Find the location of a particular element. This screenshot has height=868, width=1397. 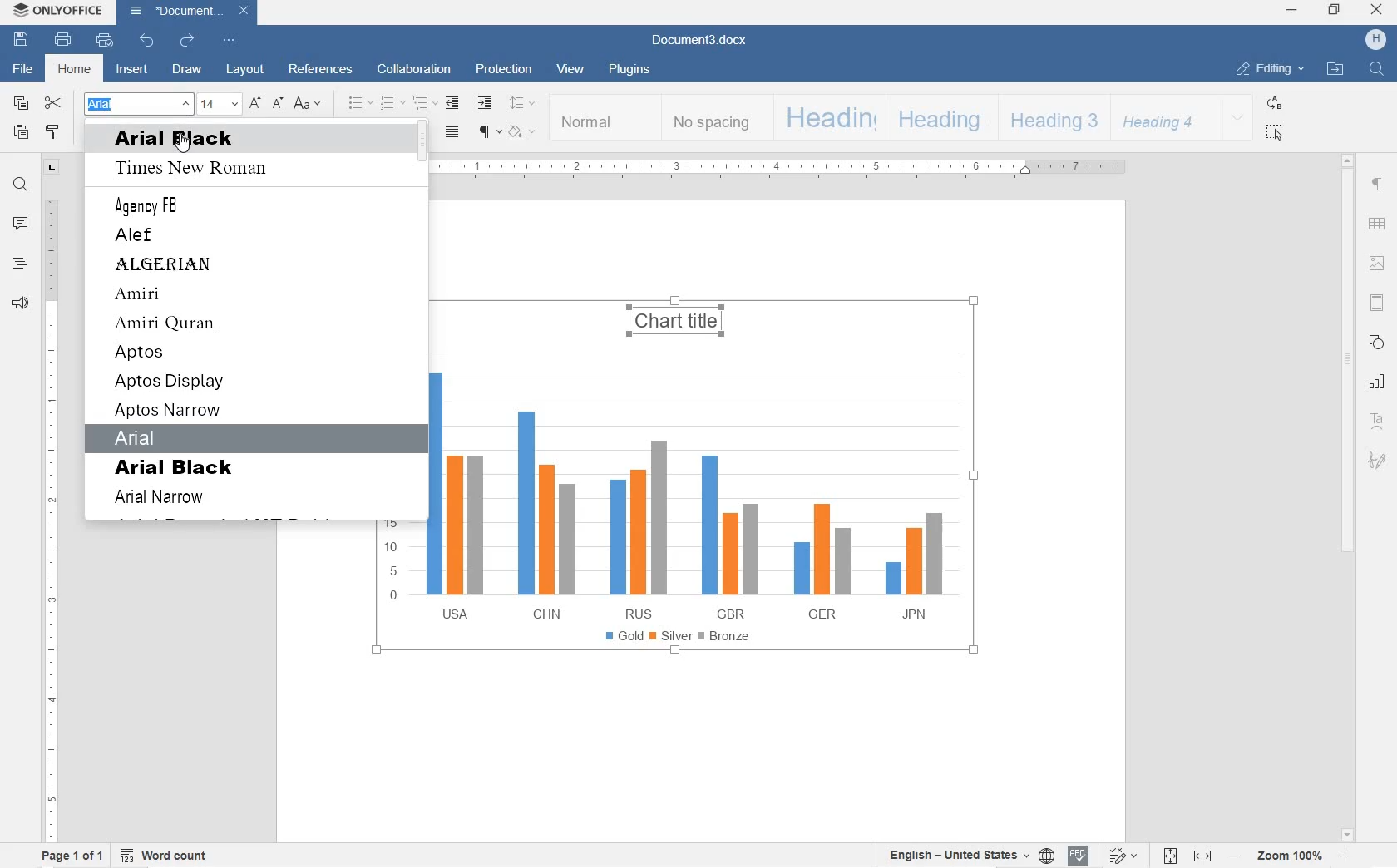

CUSTOMIZE QUICK ACCESS TOOLBAR is located at coordinates (227, 40).